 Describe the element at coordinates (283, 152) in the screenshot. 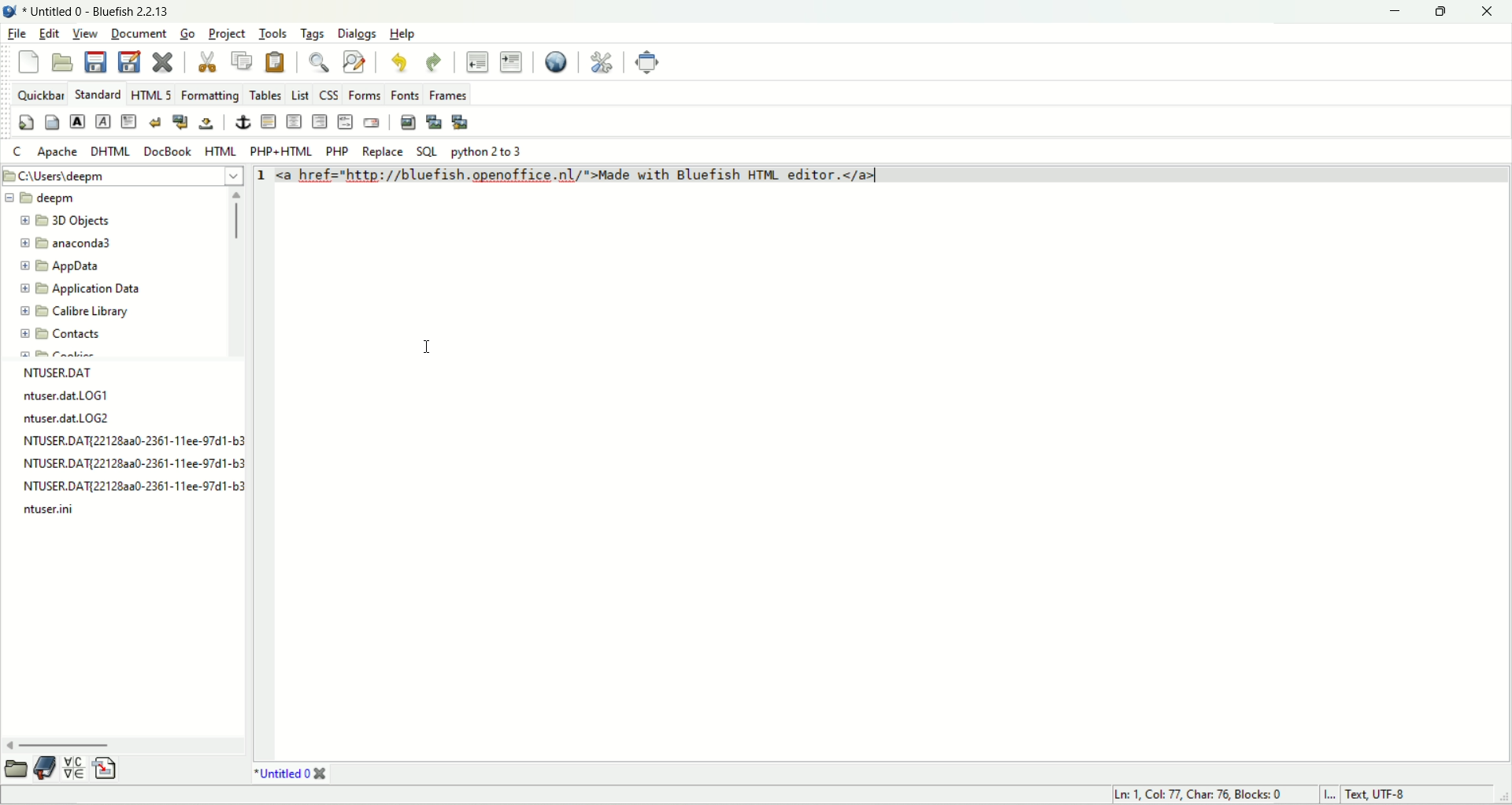

I see `PHP+HTML` at that location.